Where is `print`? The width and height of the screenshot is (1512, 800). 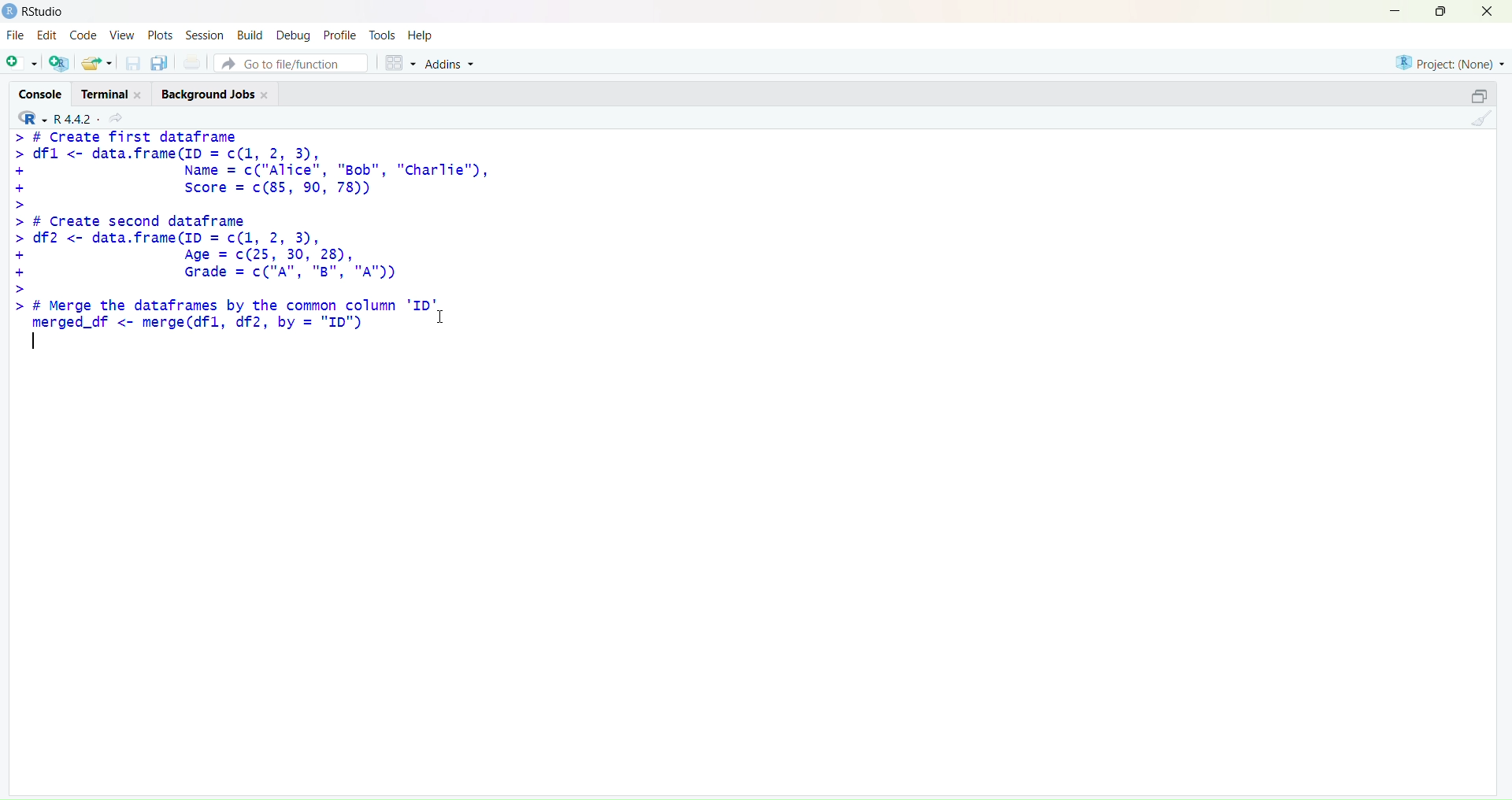
print is located at coordinates (191, 63).